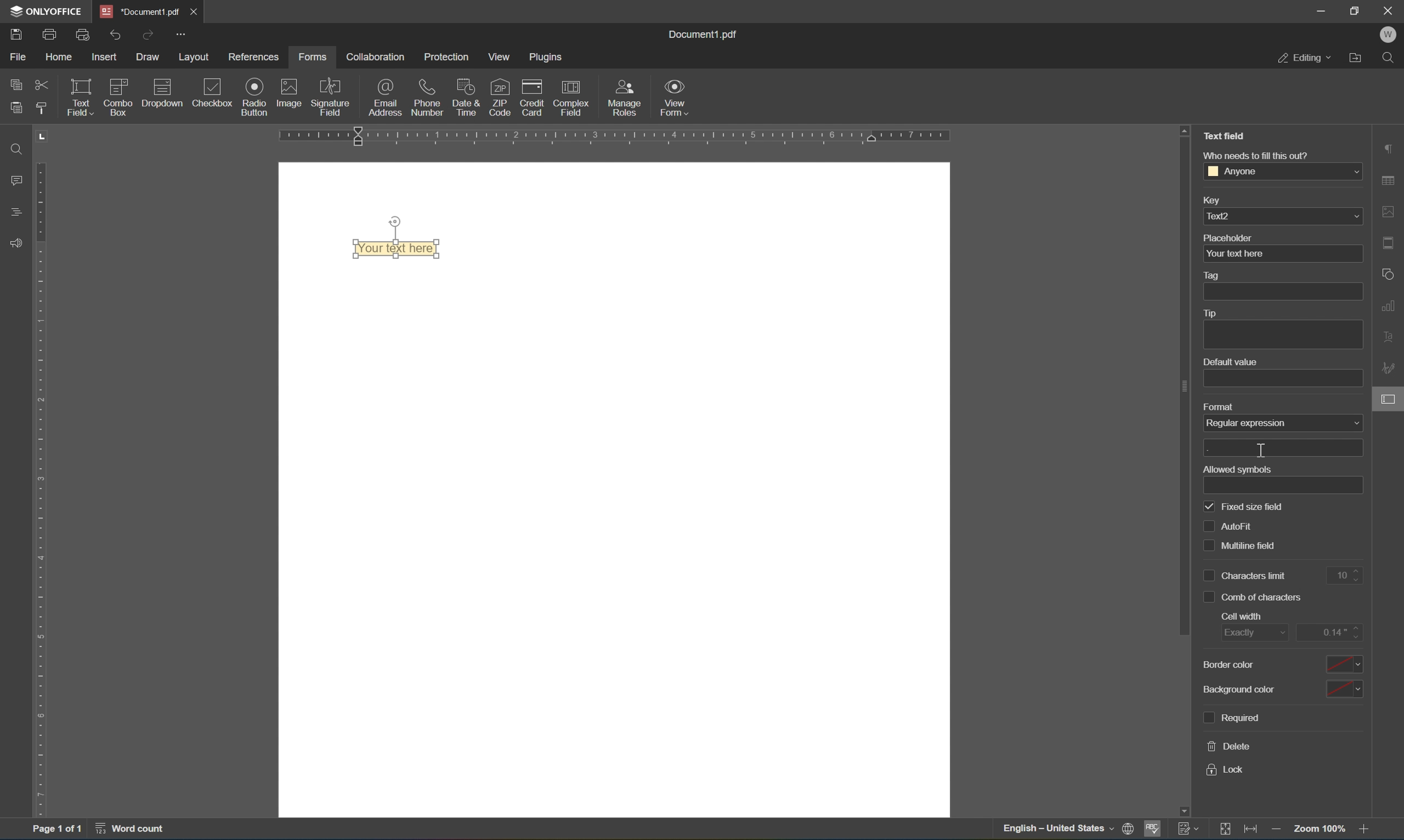 This screenshot has height=840, width=1404. Describe the element at coordinates (40, 111) in the screenshot. I see `copy style` at that location.